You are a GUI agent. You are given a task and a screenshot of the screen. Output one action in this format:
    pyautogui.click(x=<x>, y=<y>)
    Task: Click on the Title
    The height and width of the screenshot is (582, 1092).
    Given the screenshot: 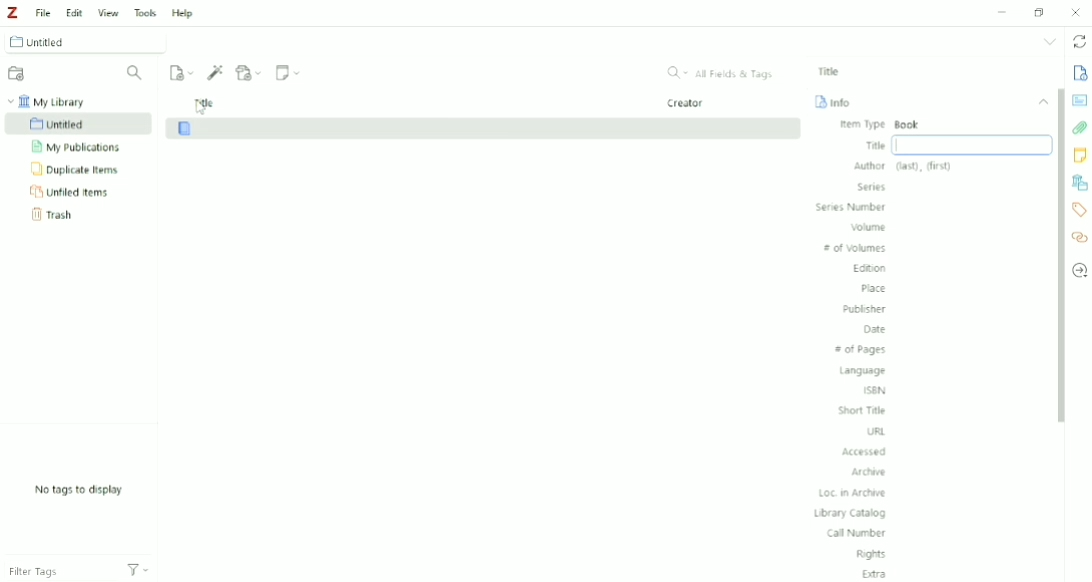 What is the action you would take?
    pyautogui.click(x=205, y=104)
    